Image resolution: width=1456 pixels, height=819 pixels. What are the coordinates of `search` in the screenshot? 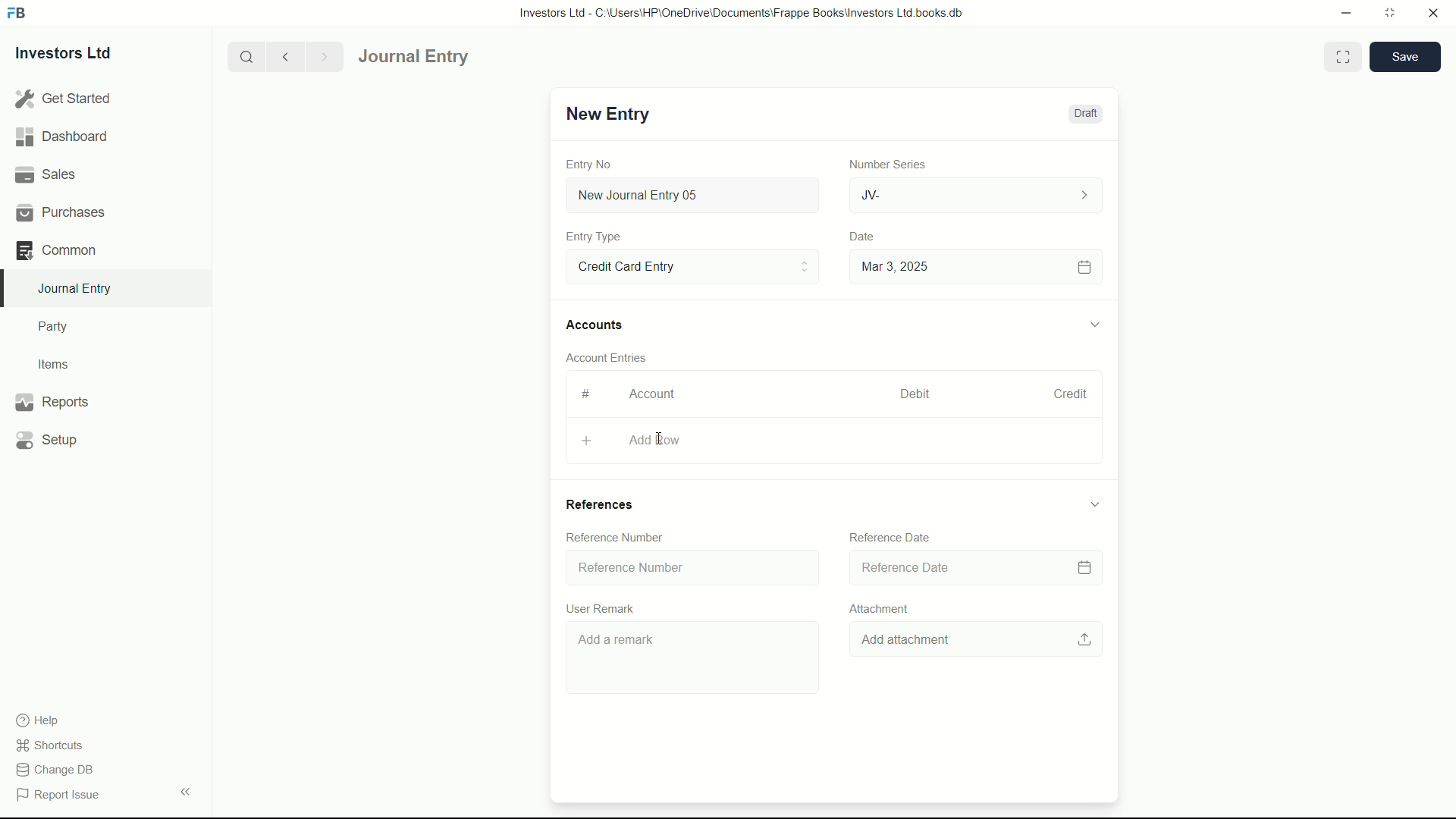 It's located at (245, 55).